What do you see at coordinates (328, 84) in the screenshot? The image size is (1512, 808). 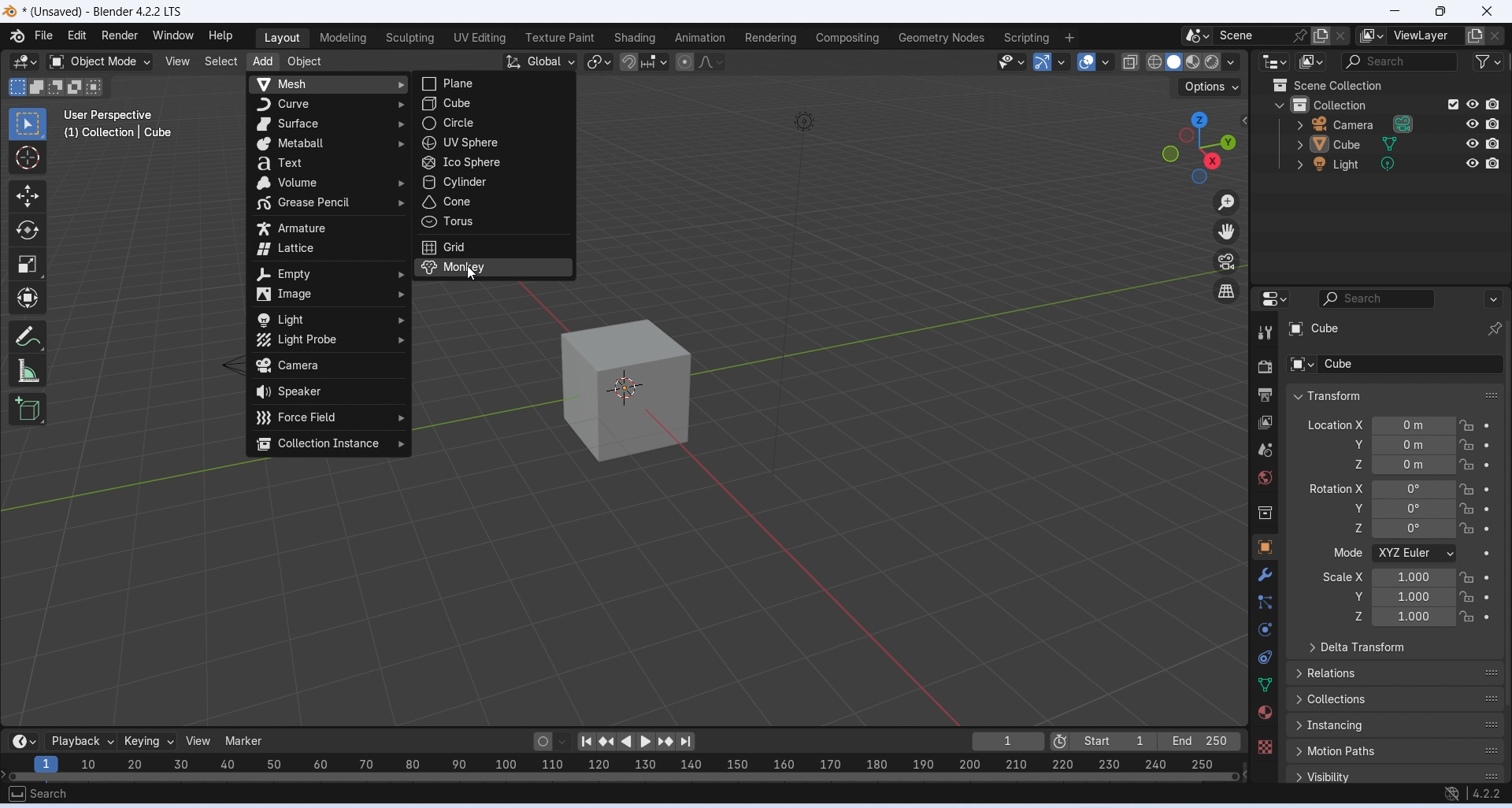 I see `mesh` at bounding box center [328, 84].